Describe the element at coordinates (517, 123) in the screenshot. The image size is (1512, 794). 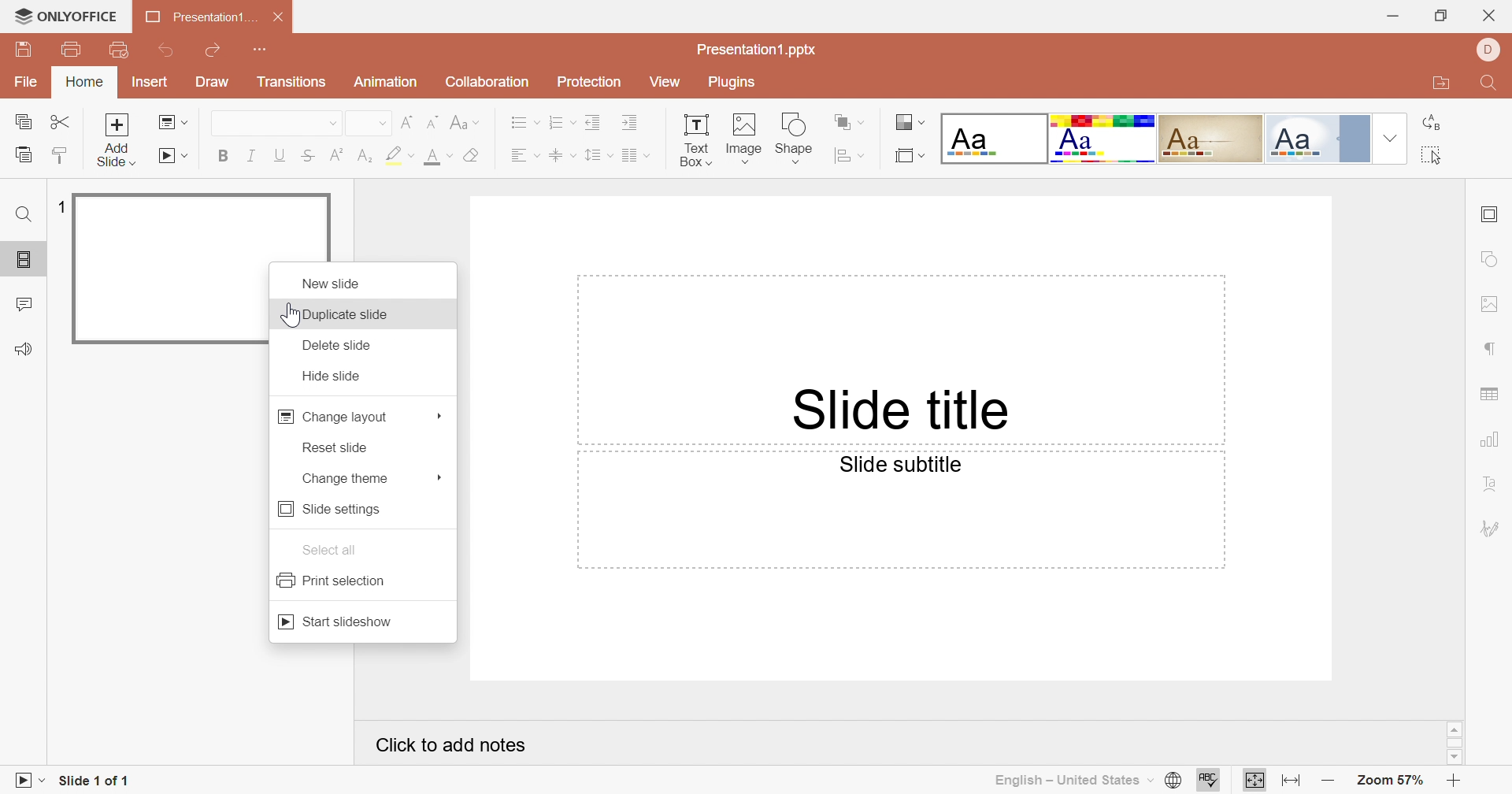
I see `Bullets` at that location.